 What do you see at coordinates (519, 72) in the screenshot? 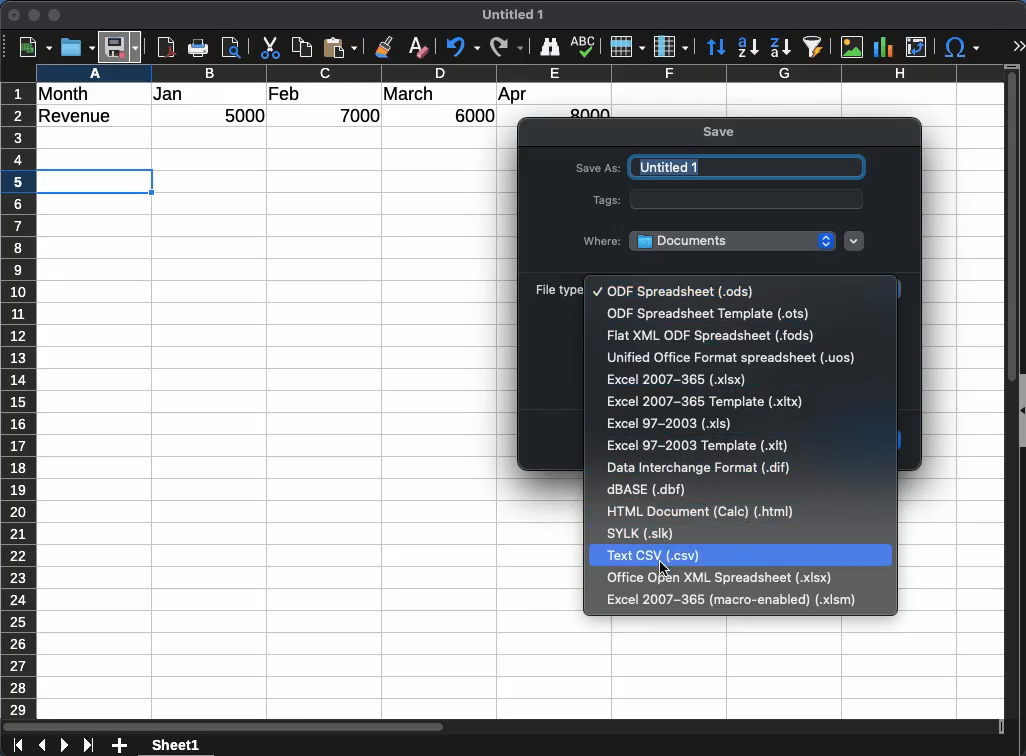
I see `column` at bounding box center [519, 72].